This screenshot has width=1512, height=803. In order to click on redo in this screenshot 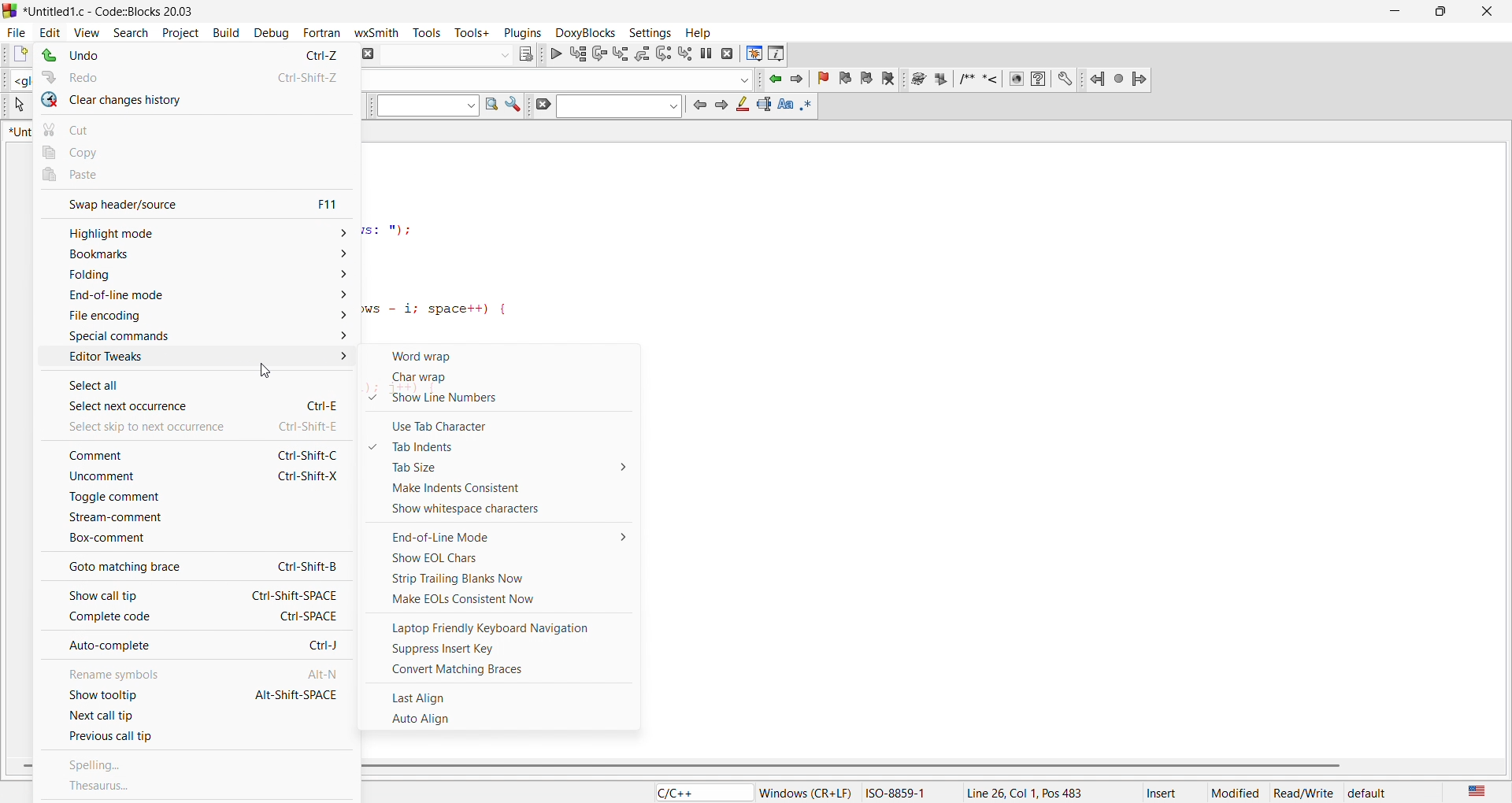, I will do `click(134, 79)`.